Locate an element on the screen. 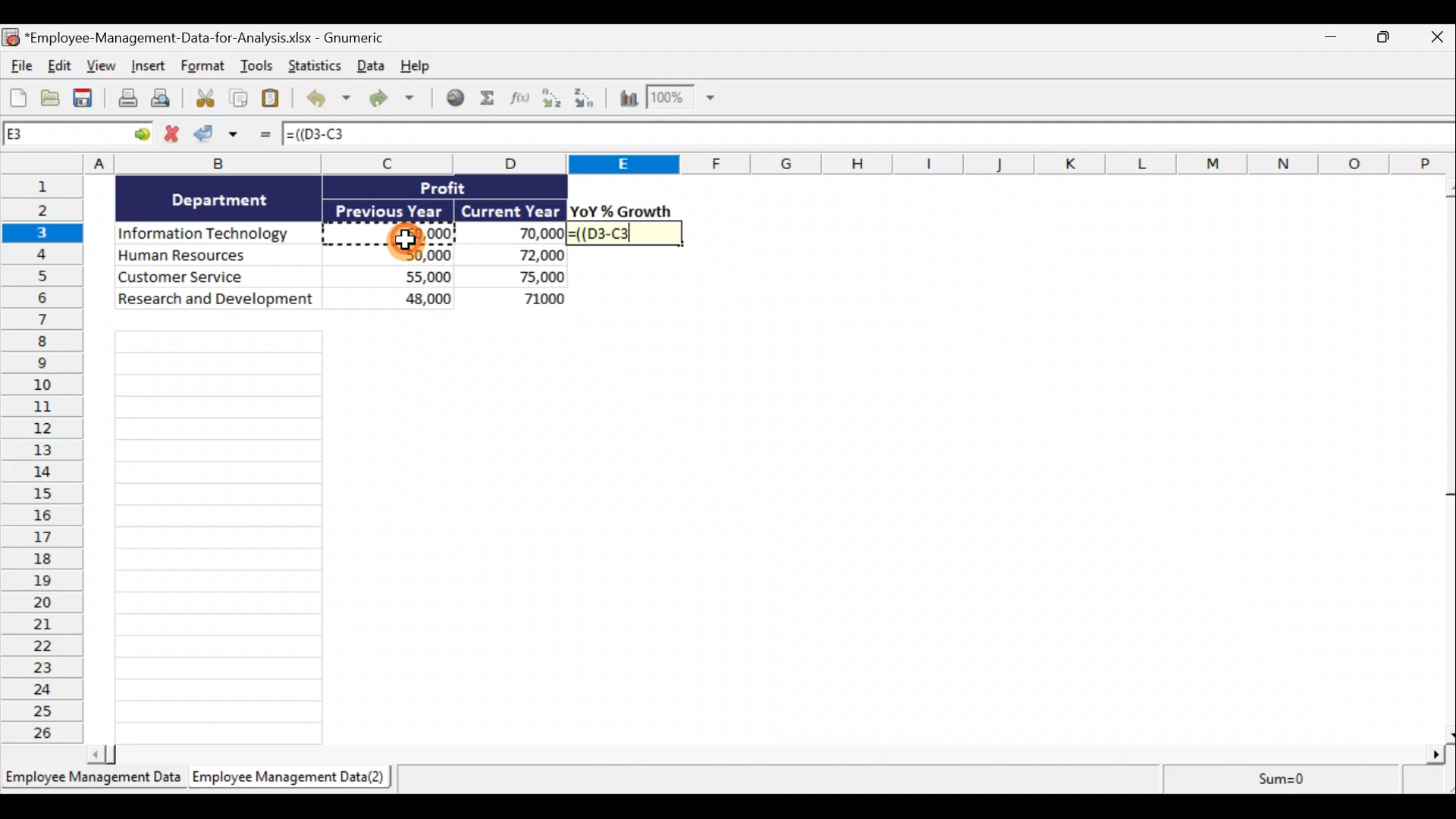 Image resolution: width=1456 pixels, height=819 pixels. Enter formula is located at coordinates (263, 137).